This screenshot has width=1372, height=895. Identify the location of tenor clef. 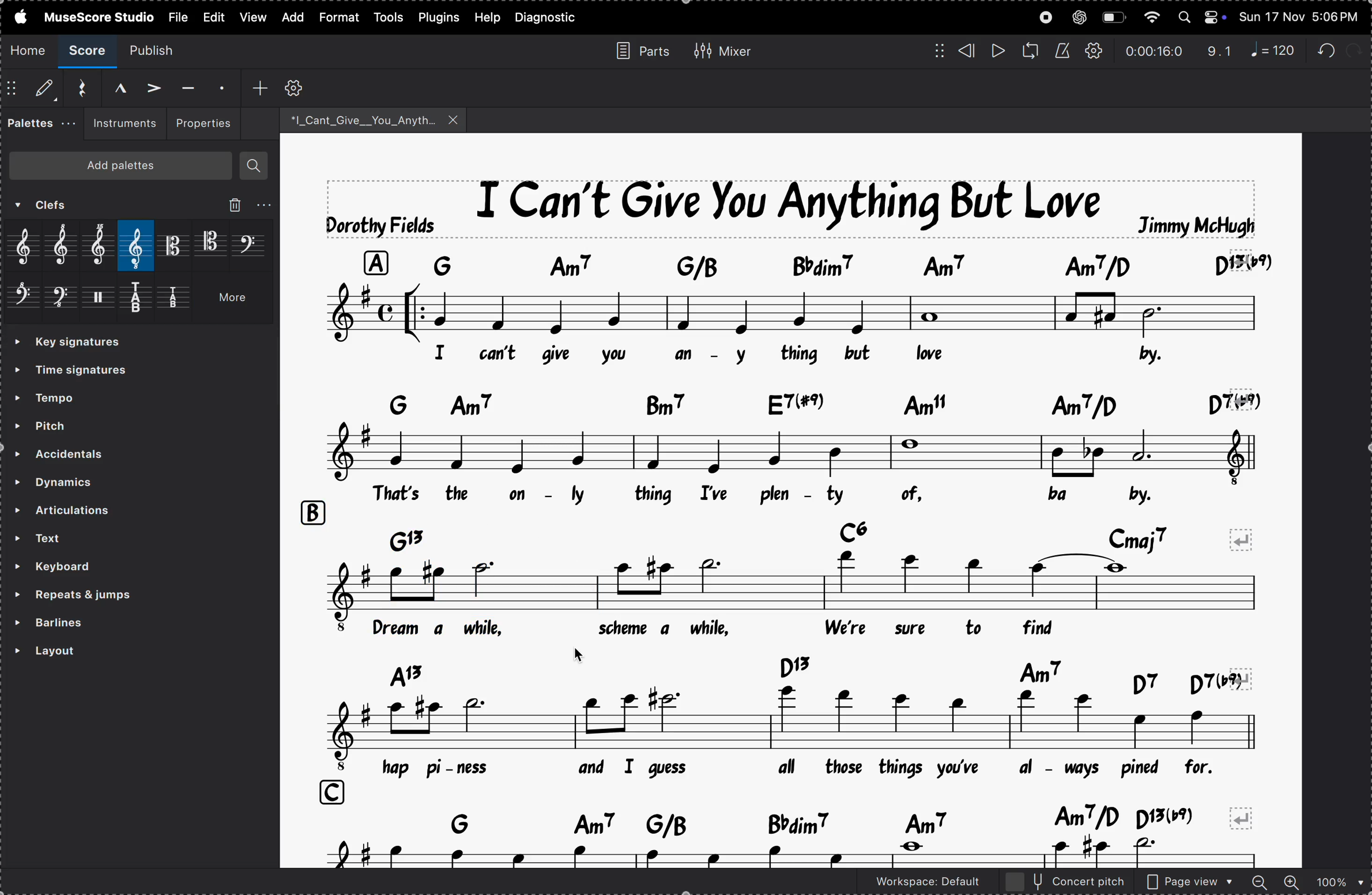
(211, 242).